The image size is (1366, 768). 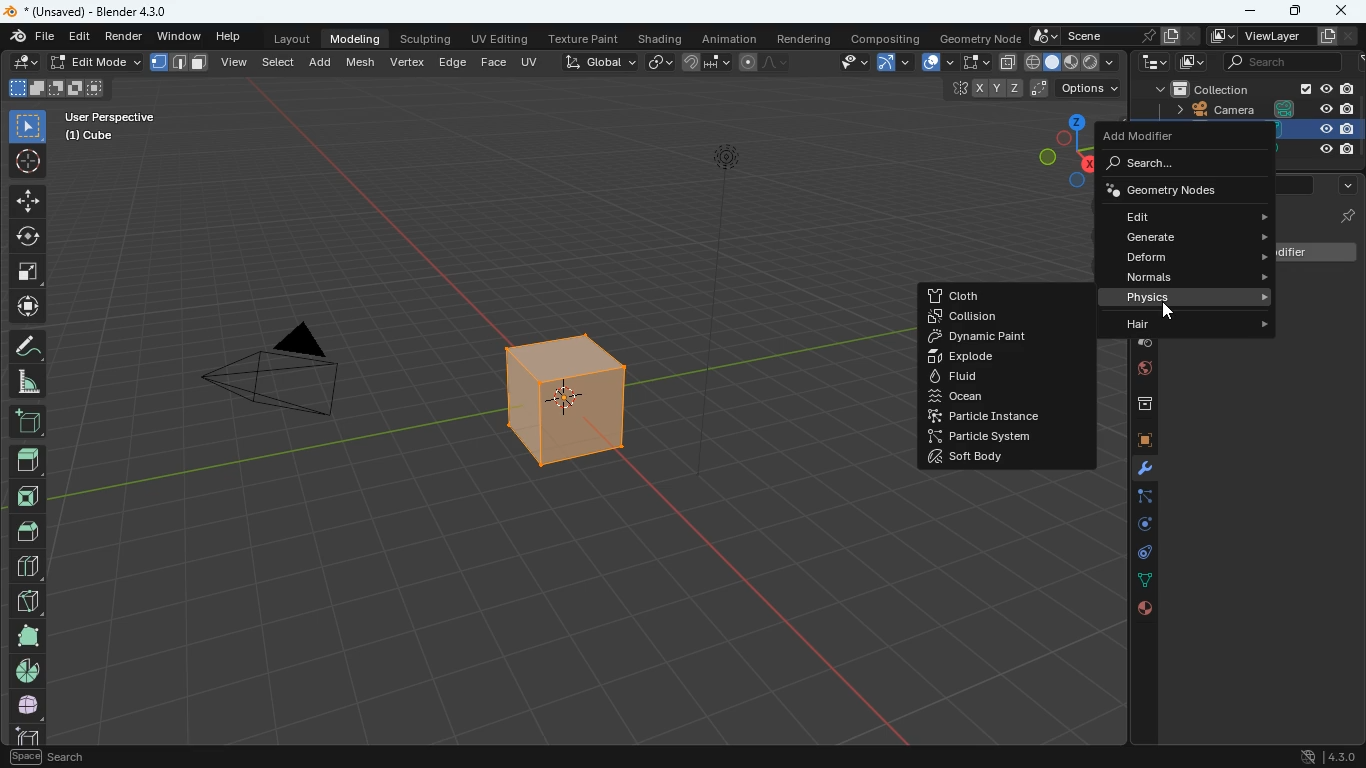 What do you see at coordinates (937, 62) in the screenshot?
I see `overlap` at bounding box center [937, 62].